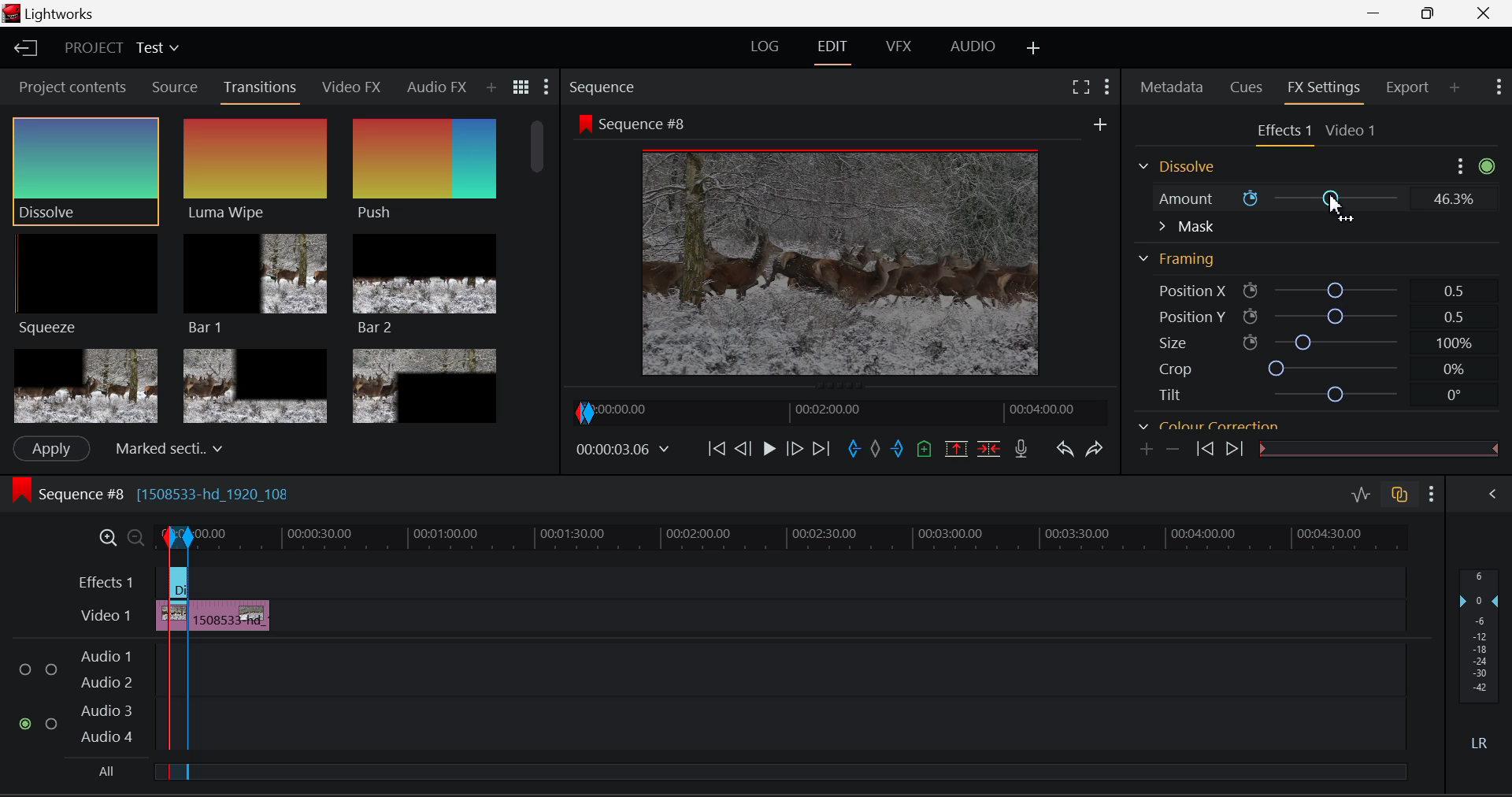  I want to click on Timeline Zoom Out, so click(129, 535).